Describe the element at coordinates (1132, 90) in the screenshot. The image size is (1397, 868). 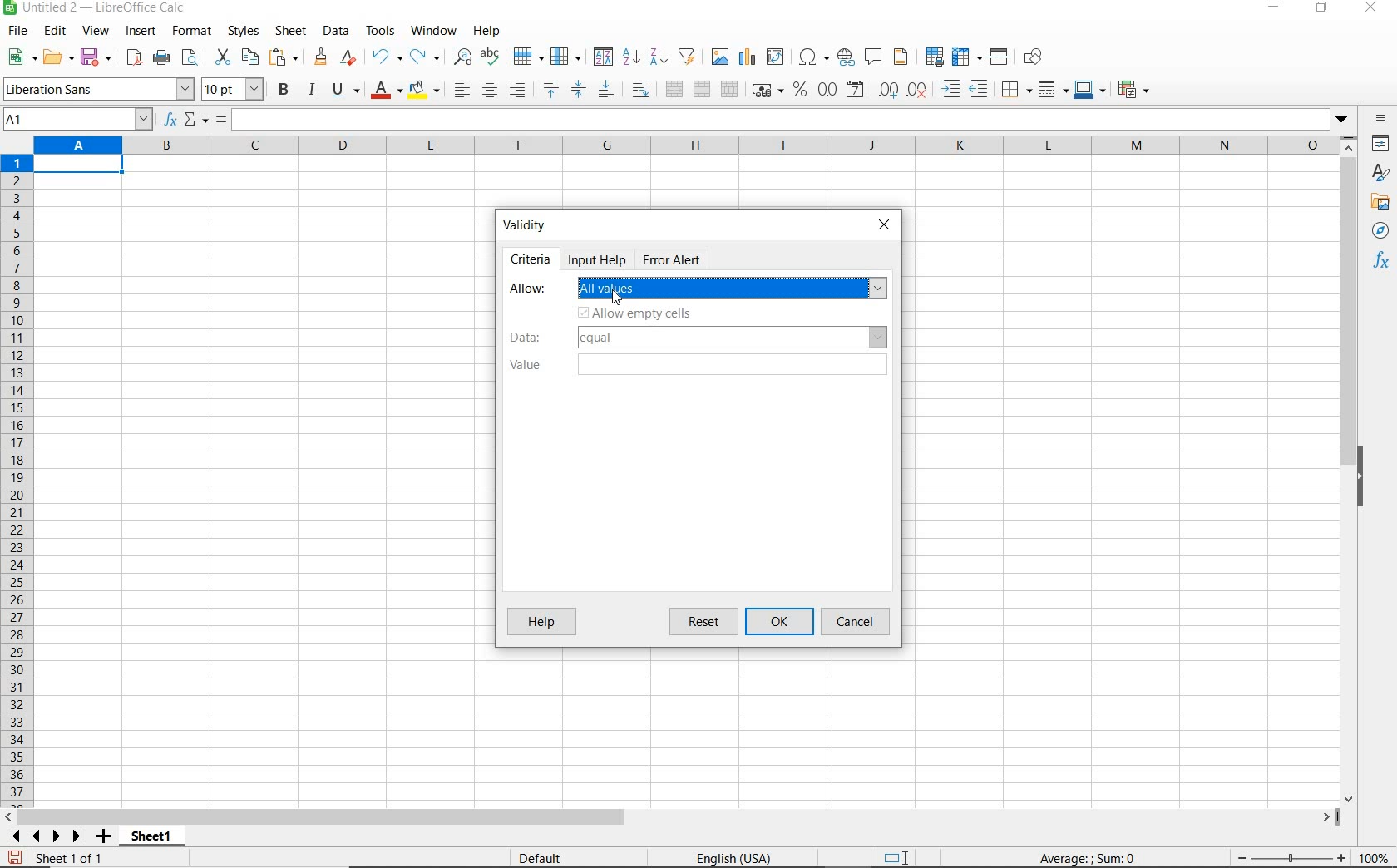
I see `coditional` at that location.